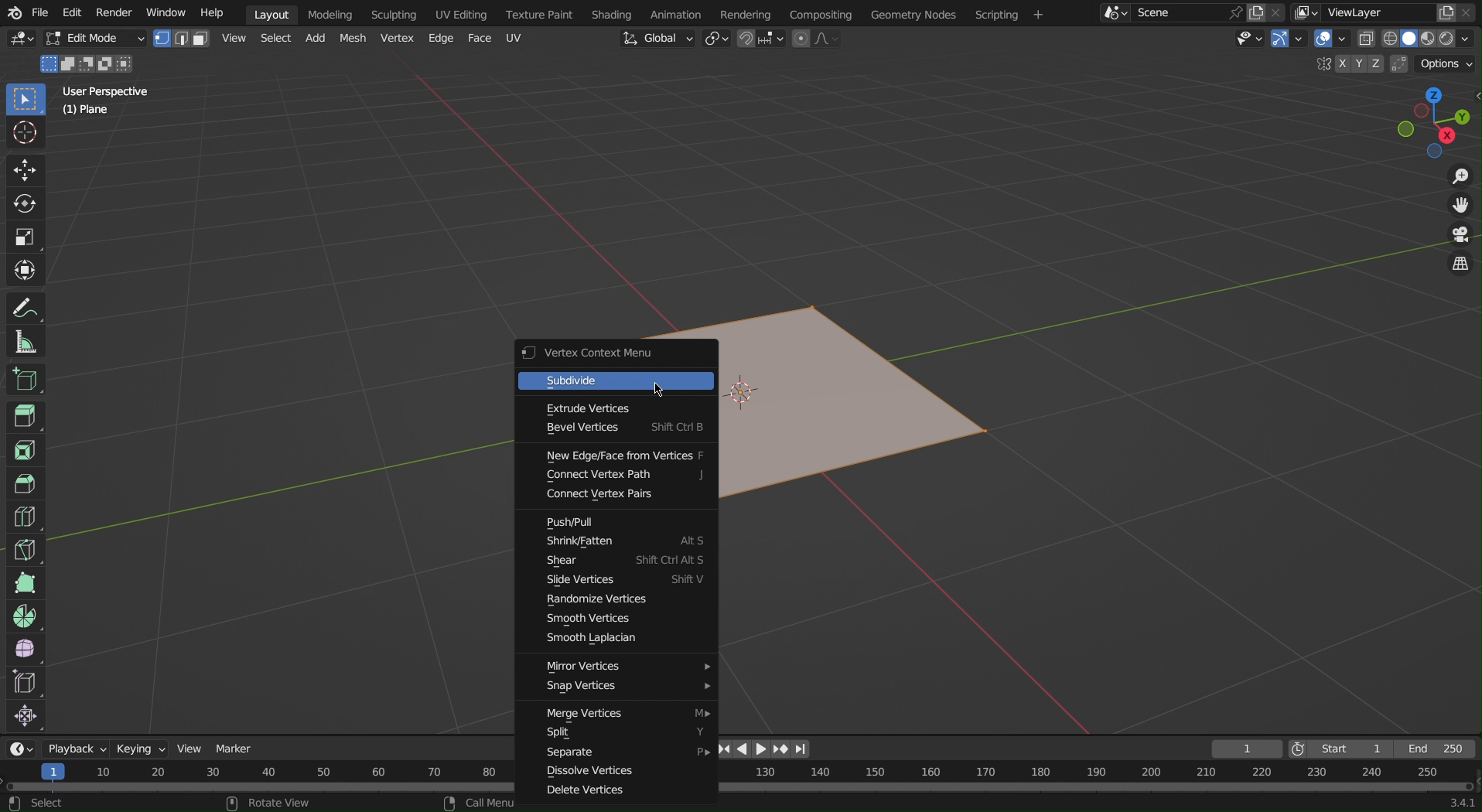  What do you see at coordinates (1459, 178) in the screenshot?
I see `Zoom` at bounding box center [1459, 178].